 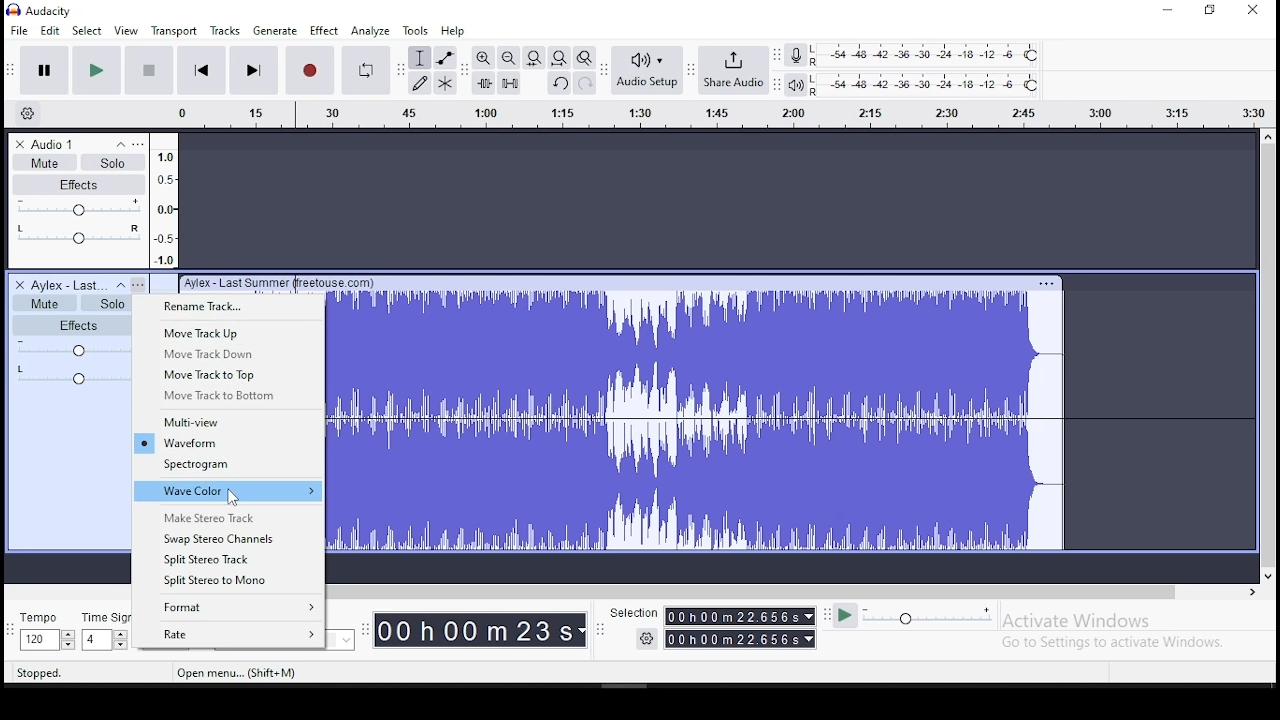 I want to click on swap stereo channels, so click(x=229, y=537).